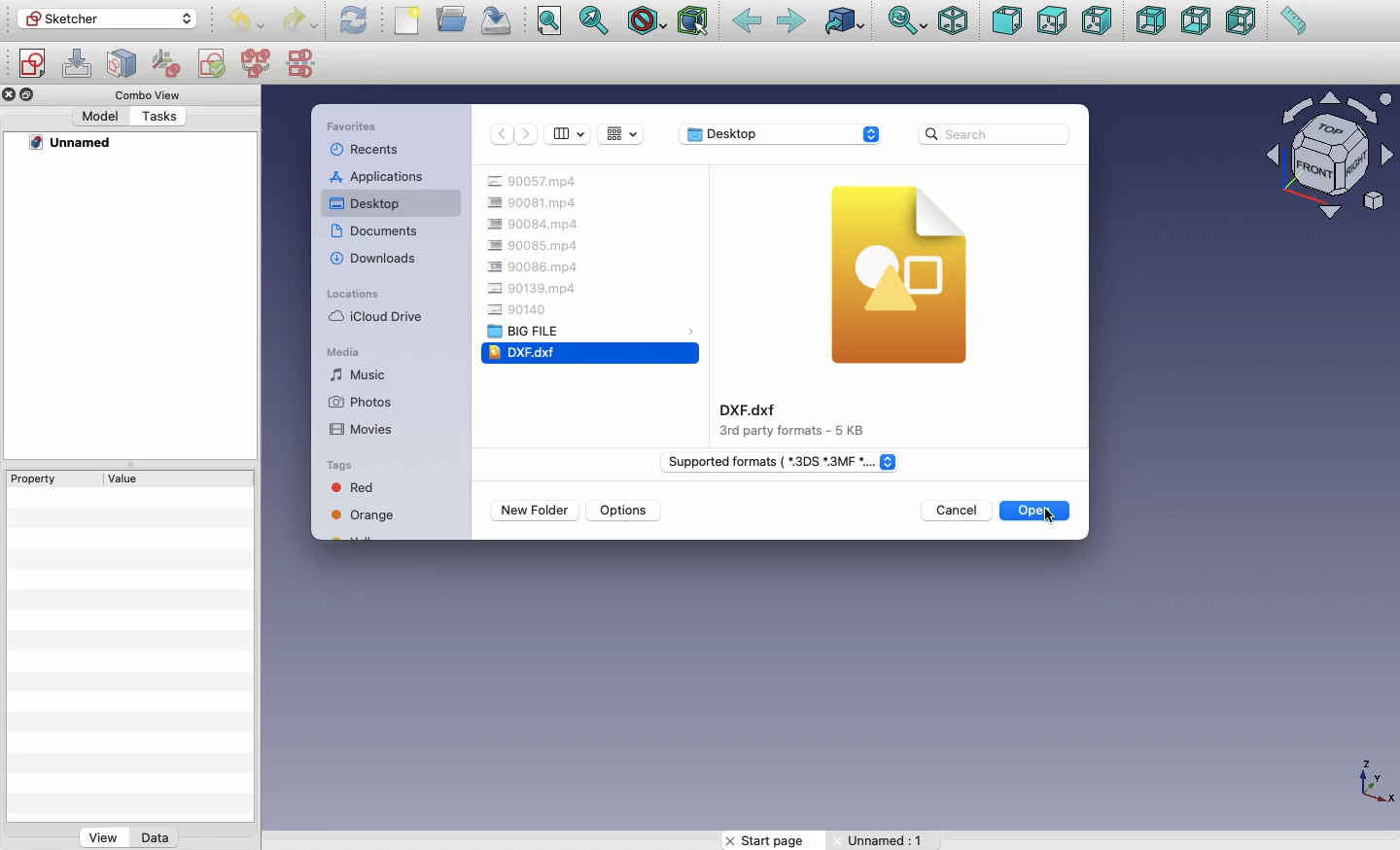 Image resolution: width=1400 pixels, height=850 pixels. I want to click on Click, so click(1048, 519).